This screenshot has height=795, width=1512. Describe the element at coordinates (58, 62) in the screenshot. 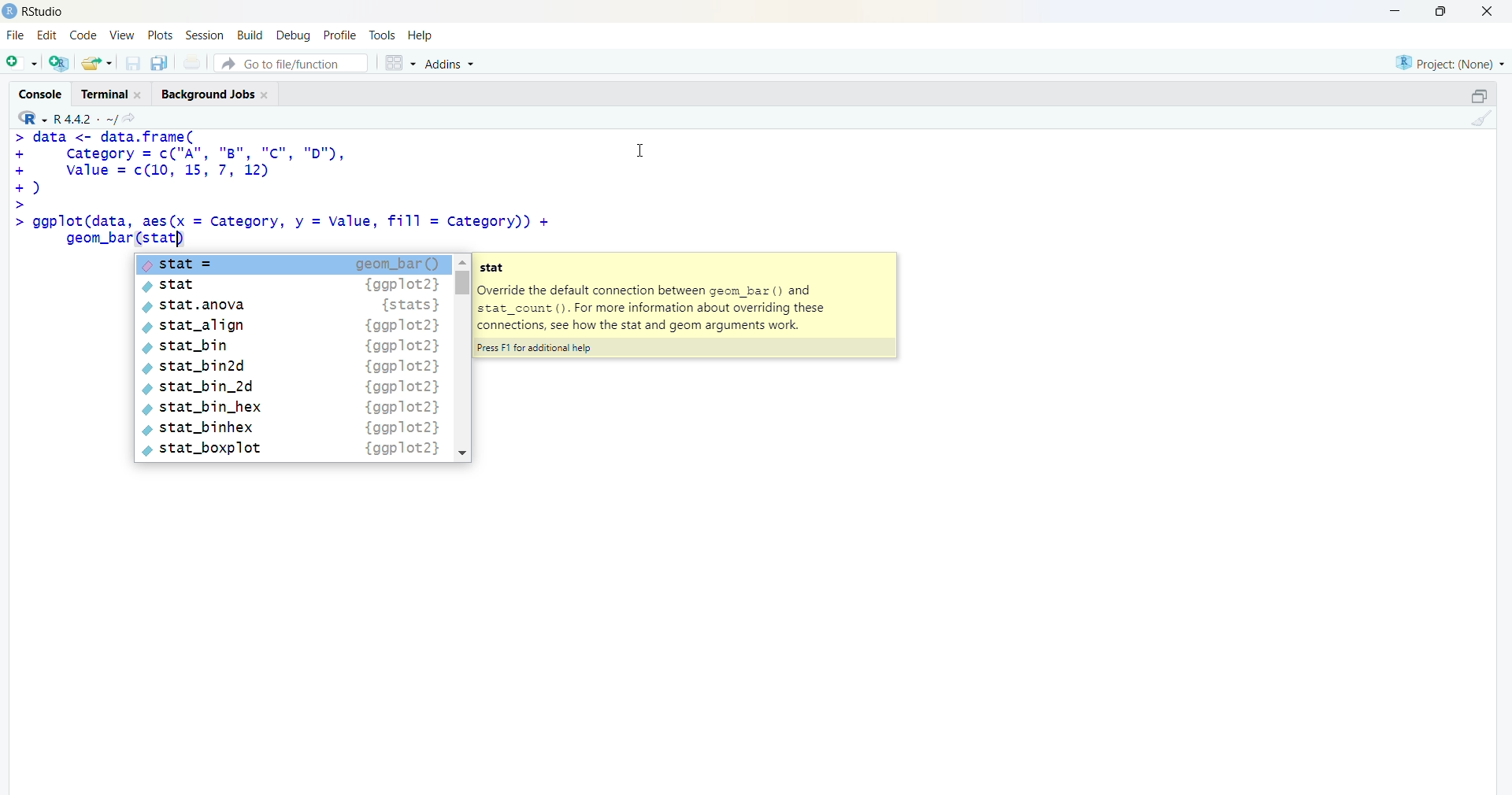

I see `create a project` at that location.